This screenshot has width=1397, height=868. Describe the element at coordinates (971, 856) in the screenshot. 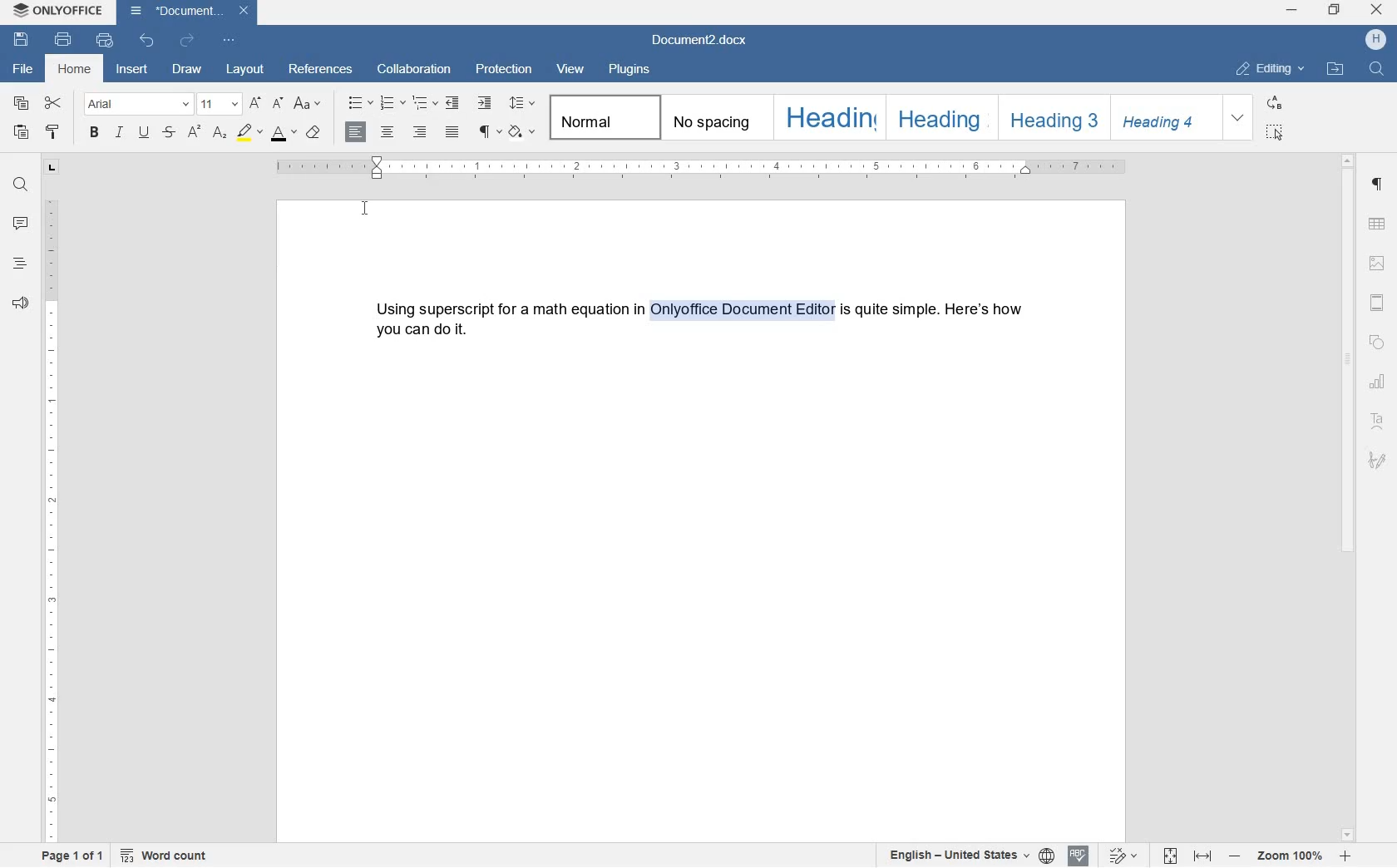

I see `set text or document language` at that location.